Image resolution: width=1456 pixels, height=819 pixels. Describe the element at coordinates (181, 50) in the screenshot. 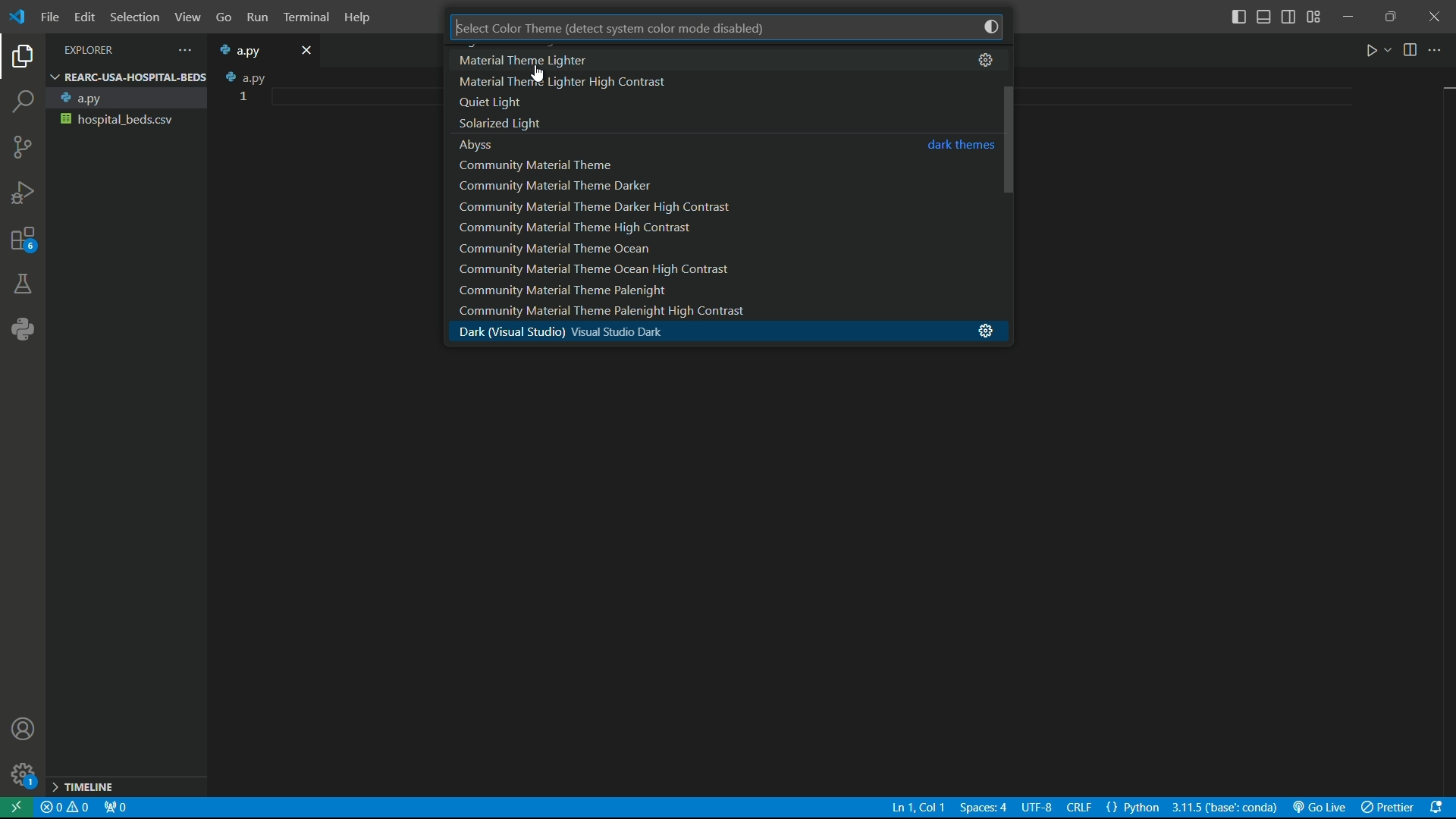

I see `more actions` at that location.